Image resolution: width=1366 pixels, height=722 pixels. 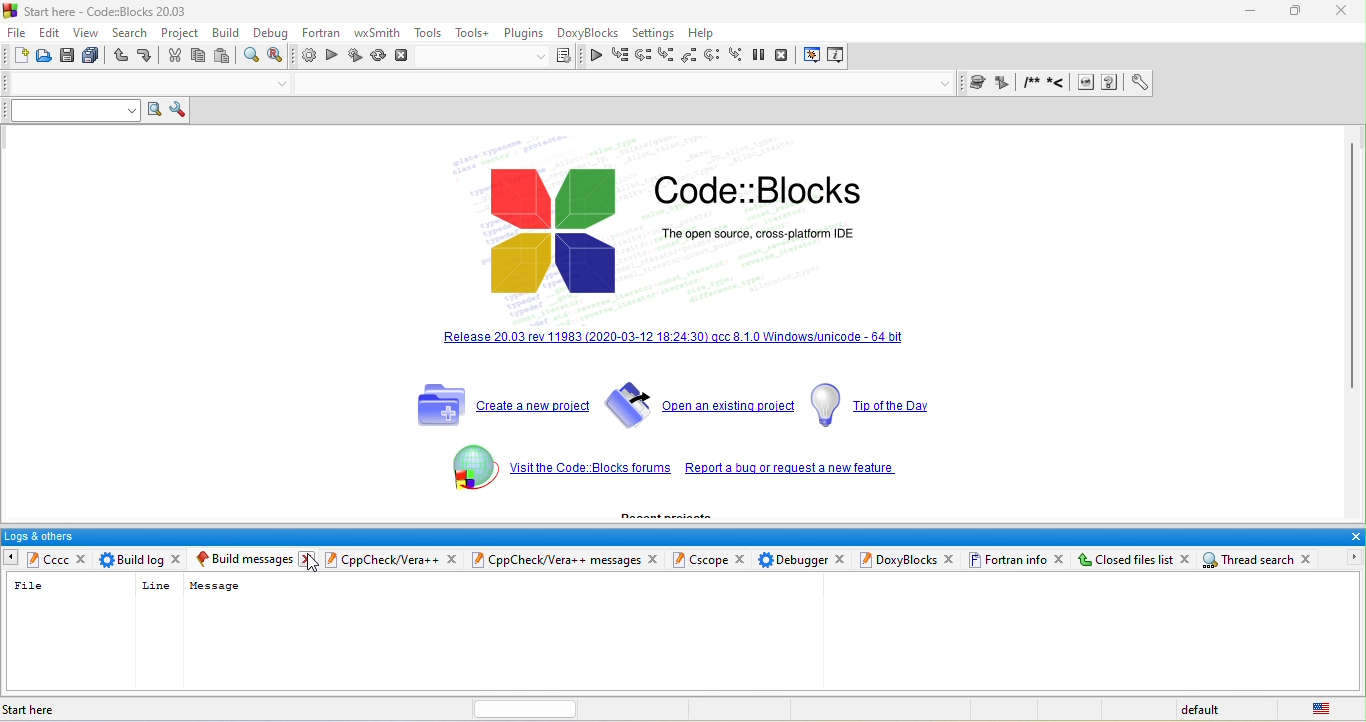 I want to click on line, so click(x=155, y=585).